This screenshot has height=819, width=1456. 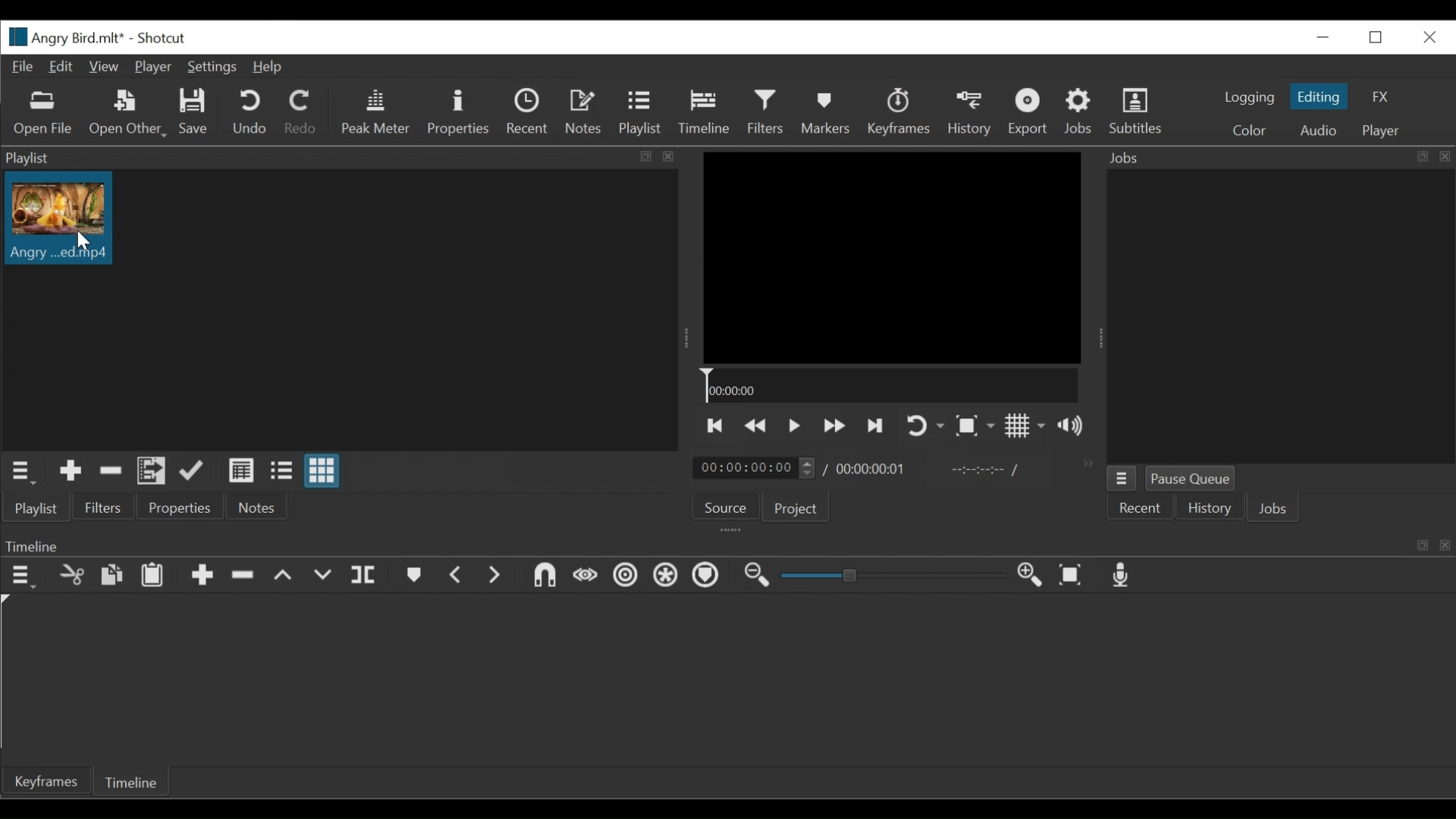 I want to click on Ripple Markers, so click(x=709, y=577).